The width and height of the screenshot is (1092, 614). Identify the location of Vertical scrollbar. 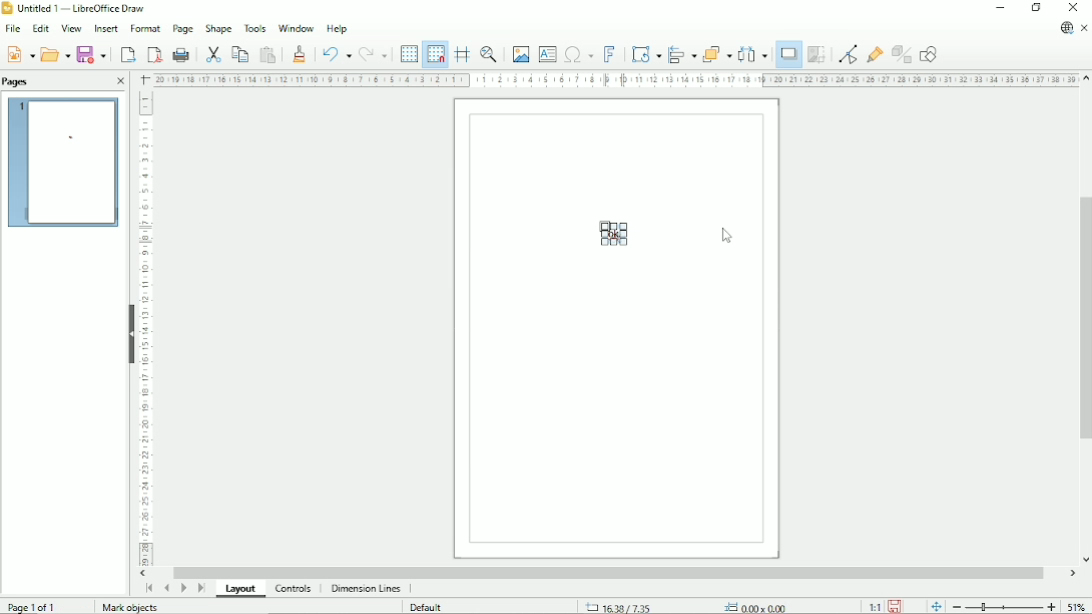
(1083, 321).